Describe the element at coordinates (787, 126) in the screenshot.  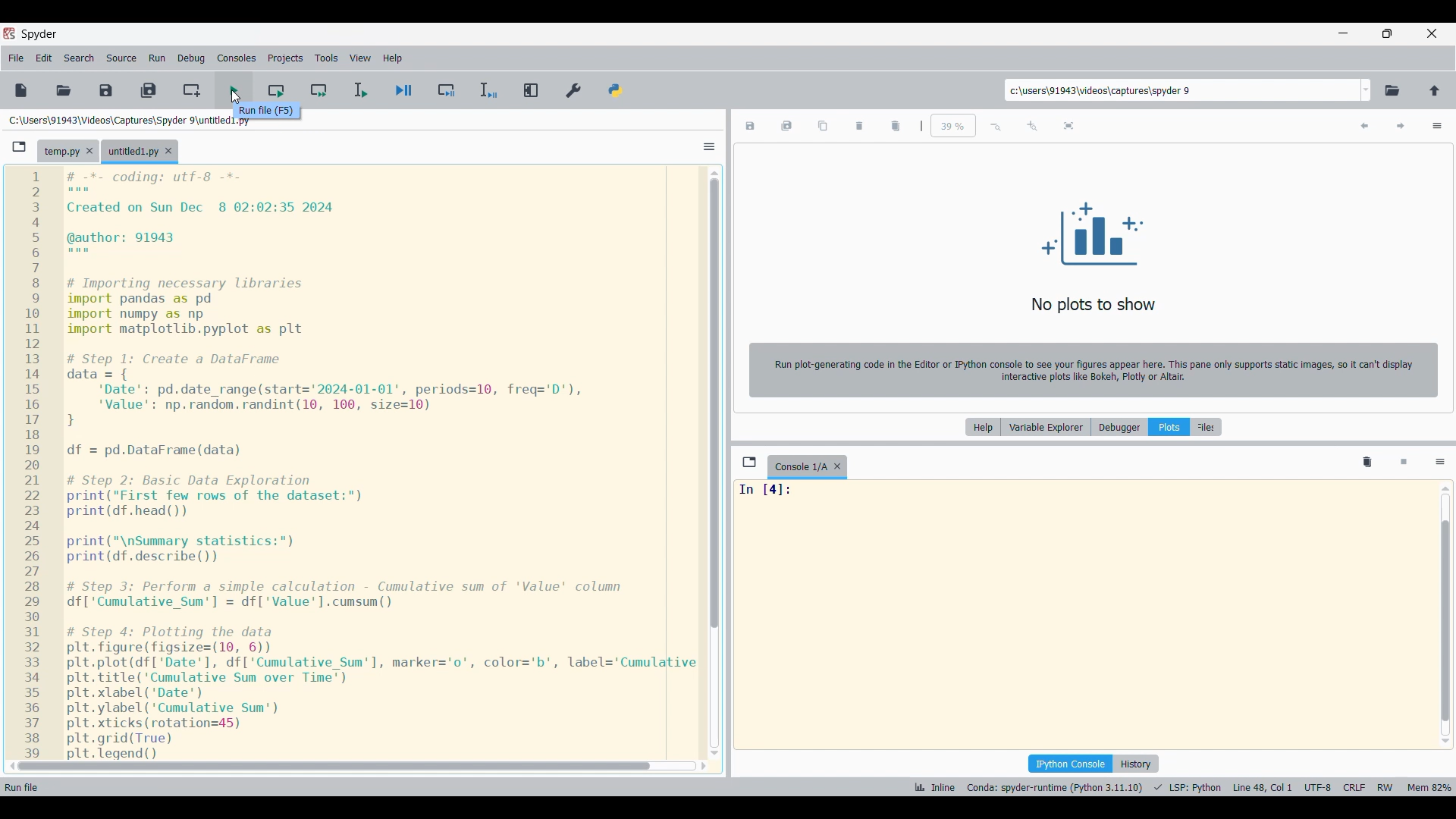
I see `Save all plots` at that location.